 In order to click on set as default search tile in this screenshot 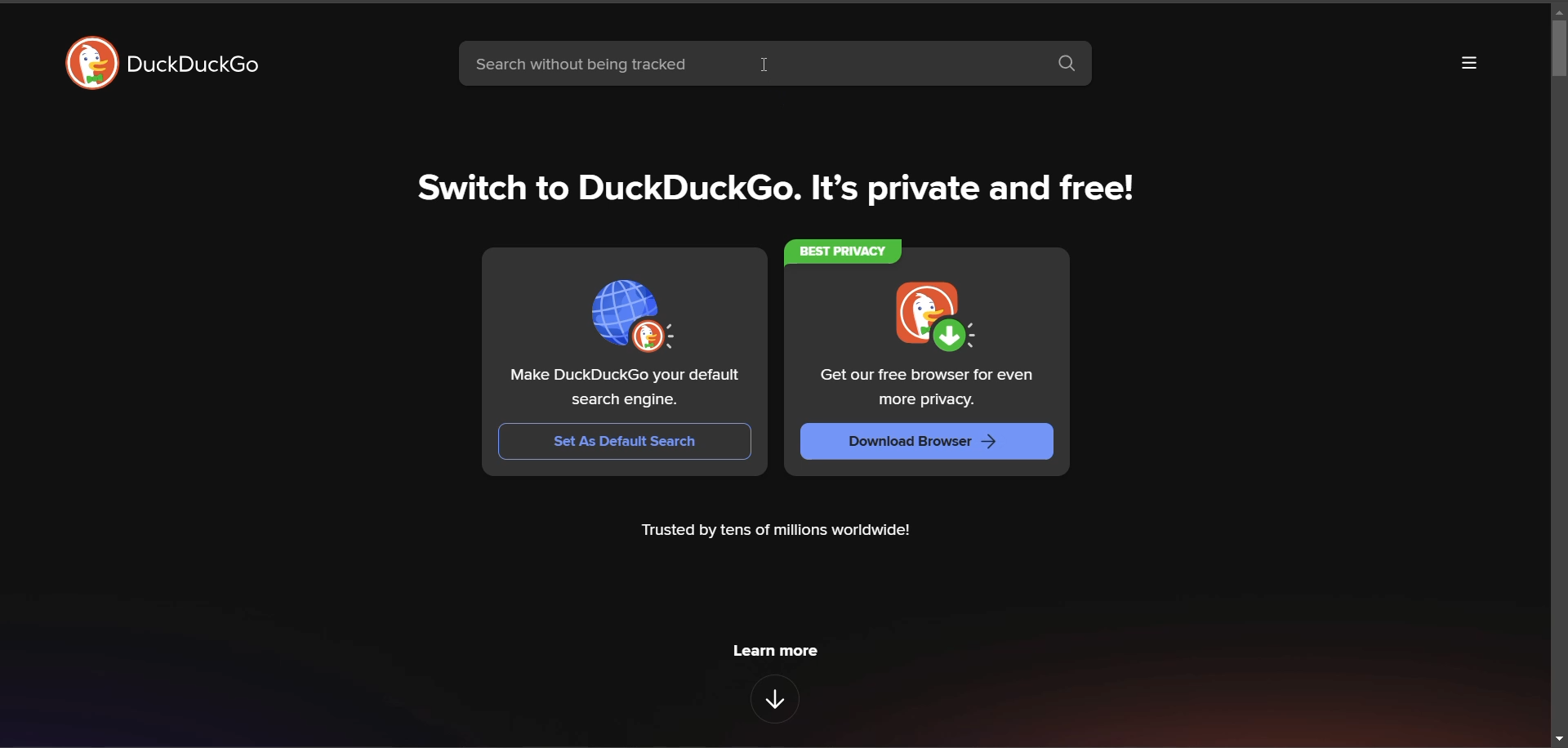, I will do `click(639, 310)`.